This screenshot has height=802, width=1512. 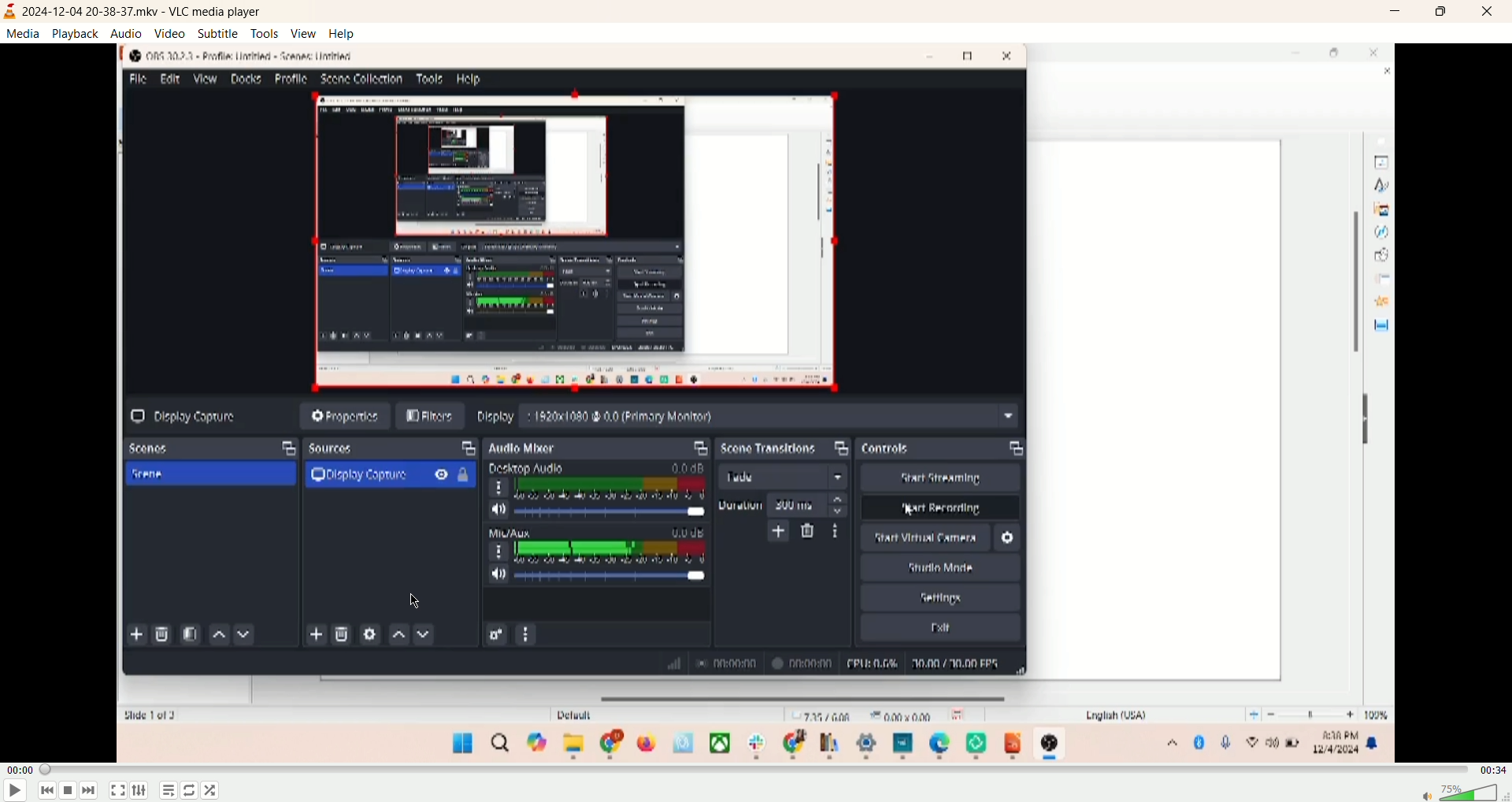 What do you see at coordinates (92, 792) in the screenshot?
I see `next track` at bounding box center [92, 792].